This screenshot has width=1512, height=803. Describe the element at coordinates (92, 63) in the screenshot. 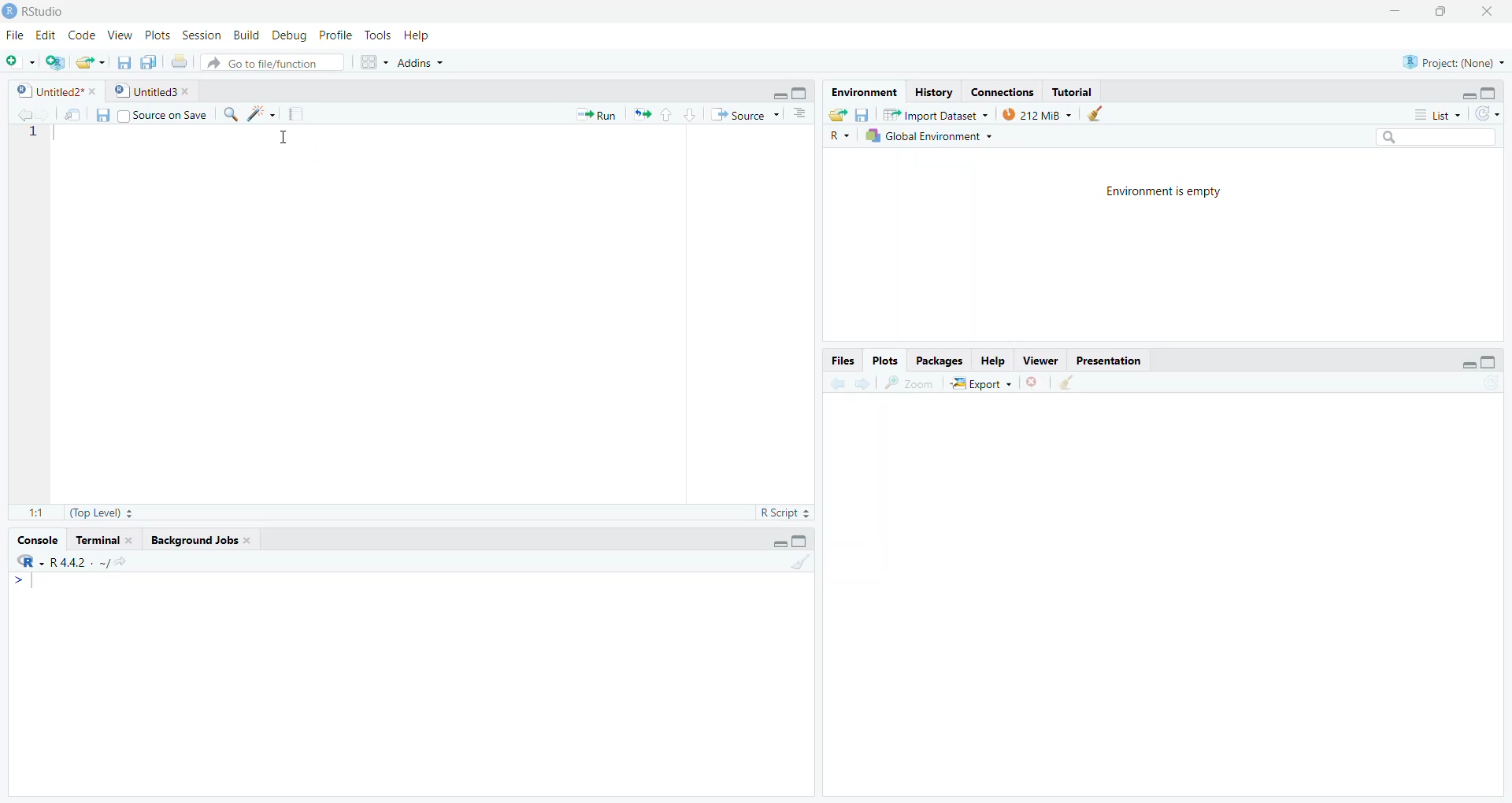

I see `open an existing file` at that location.